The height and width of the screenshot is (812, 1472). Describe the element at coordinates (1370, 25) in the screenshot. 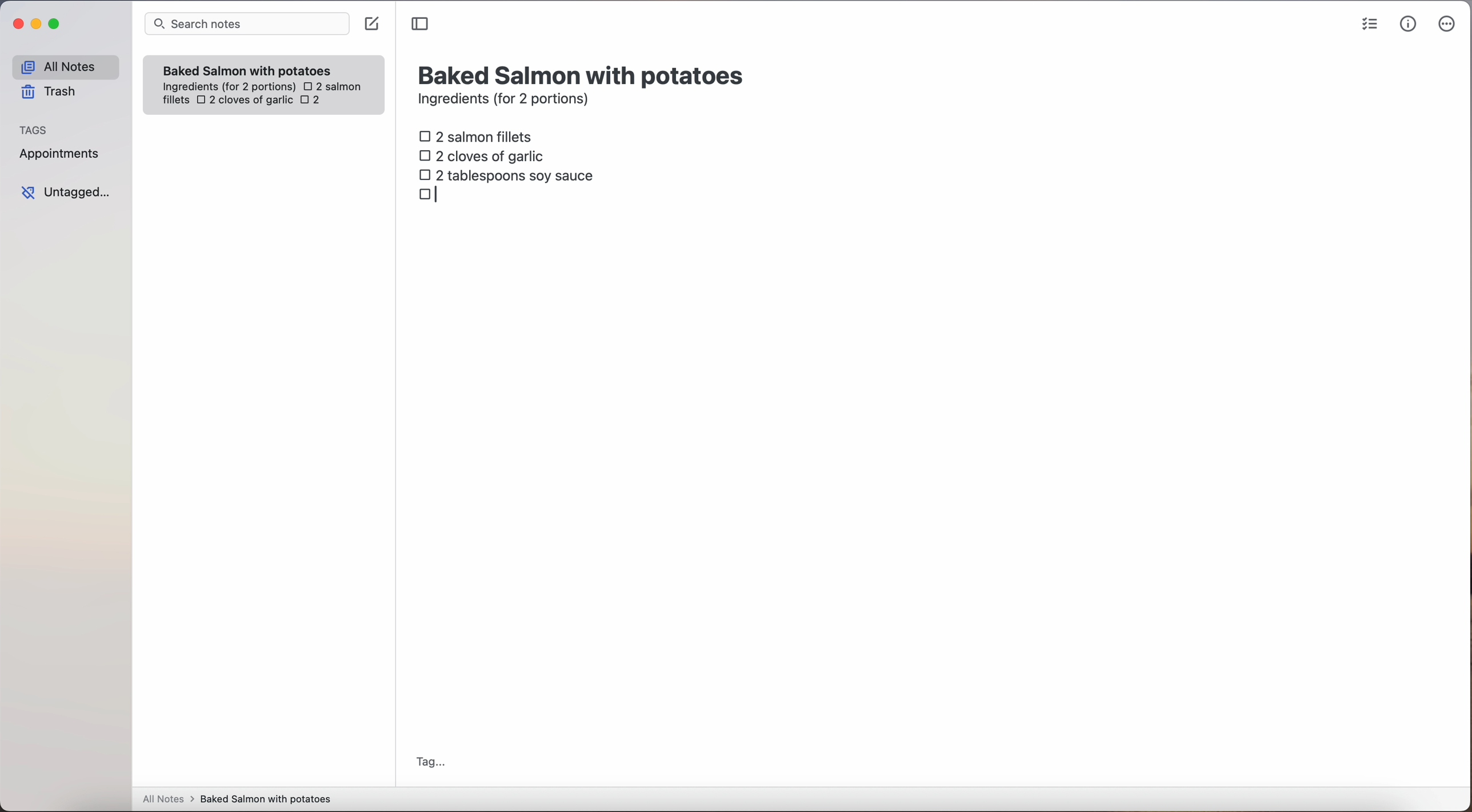

I see `check list` at that location.